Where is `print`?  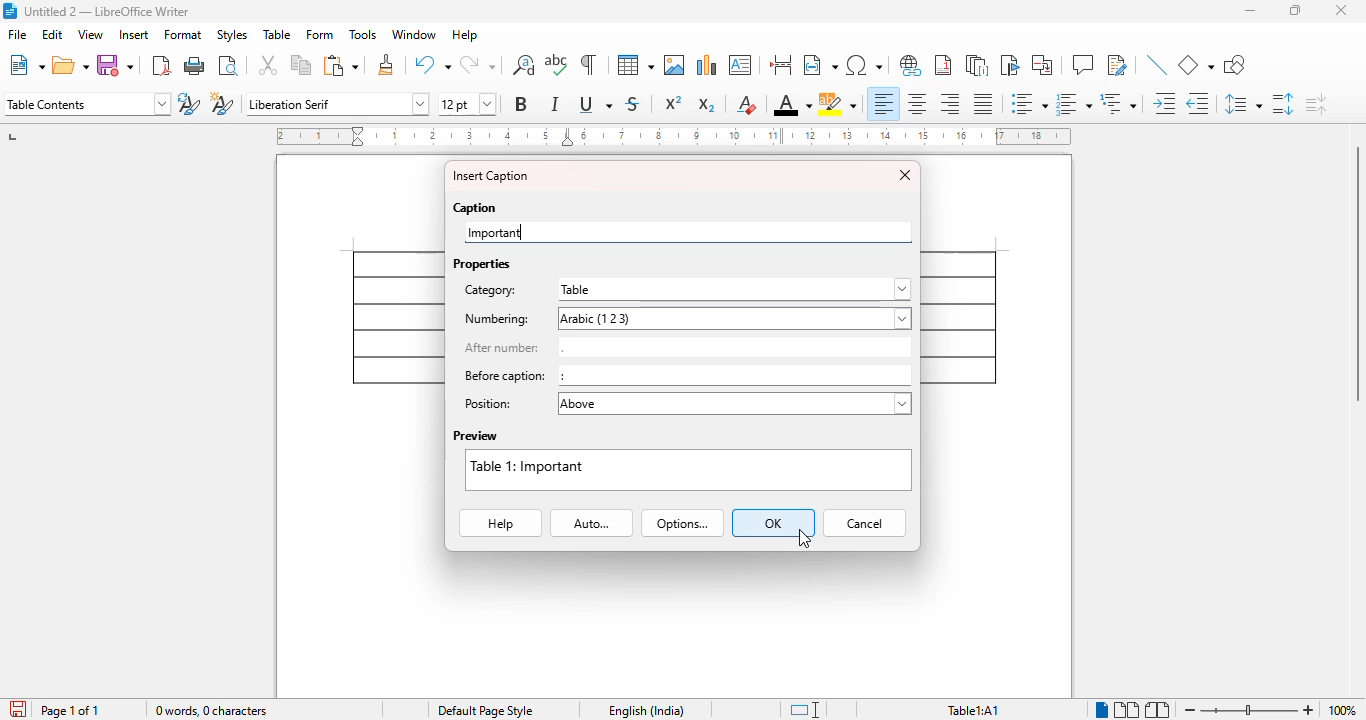
print is located at coordinates (195, 65).